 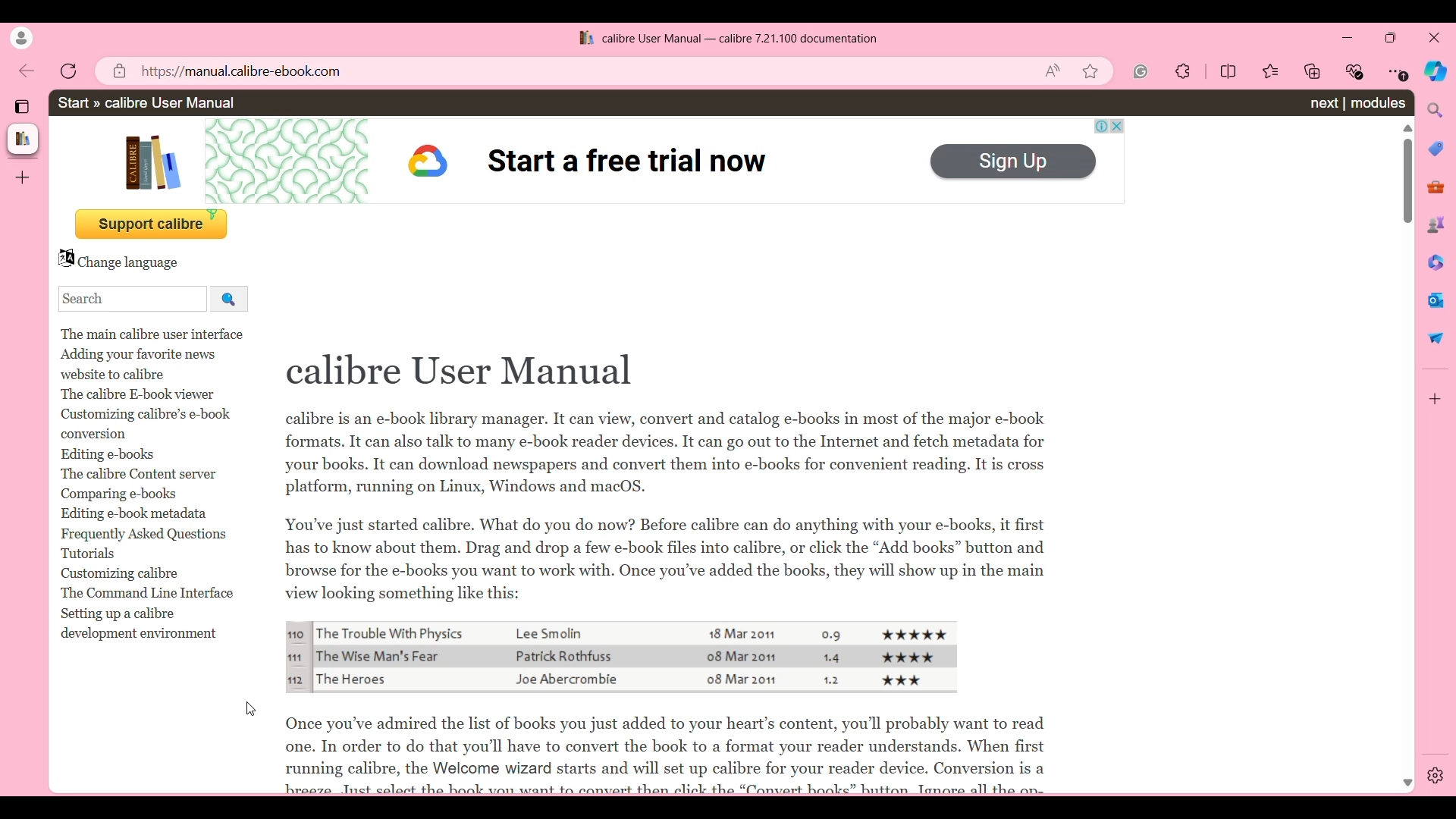 What do you see at coordinates (1436, 776) in the screenshot?
I see `Browser Settings` at bounding box center [1436, 776].